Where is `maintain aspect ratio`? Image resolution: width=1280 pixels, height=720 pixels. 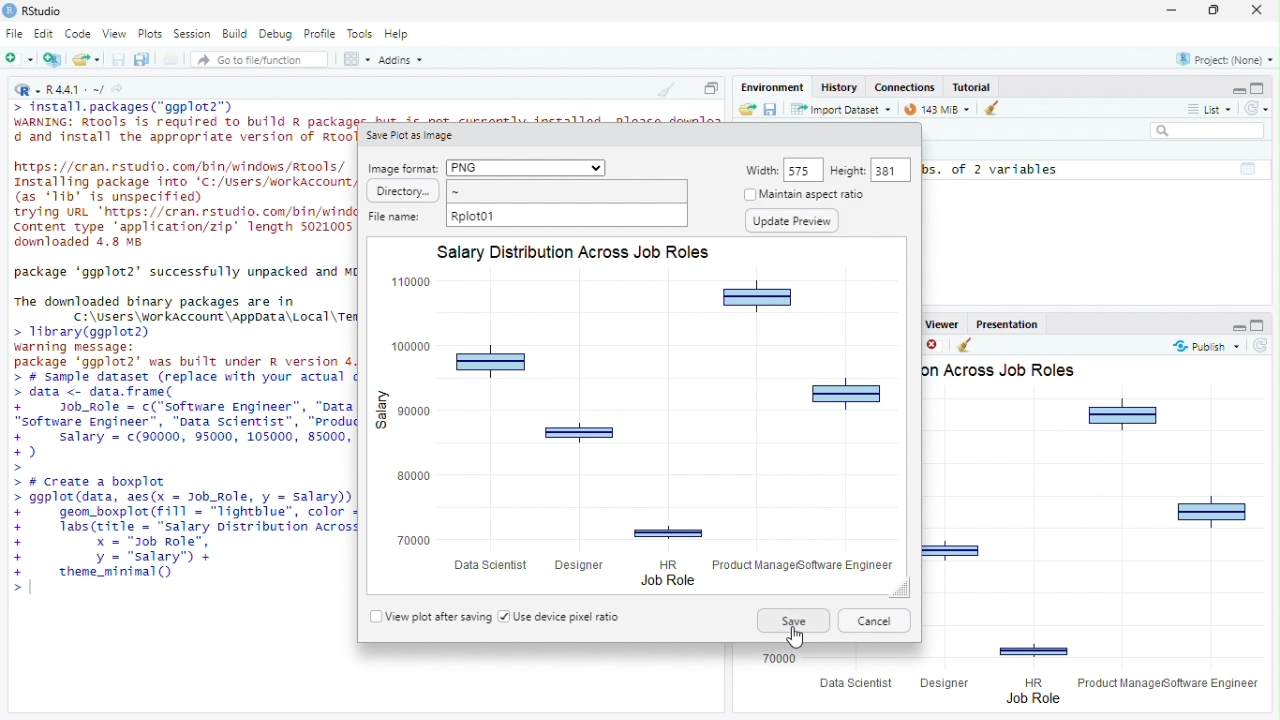 maintain aspect ratio is located at coordinates (825, 194).